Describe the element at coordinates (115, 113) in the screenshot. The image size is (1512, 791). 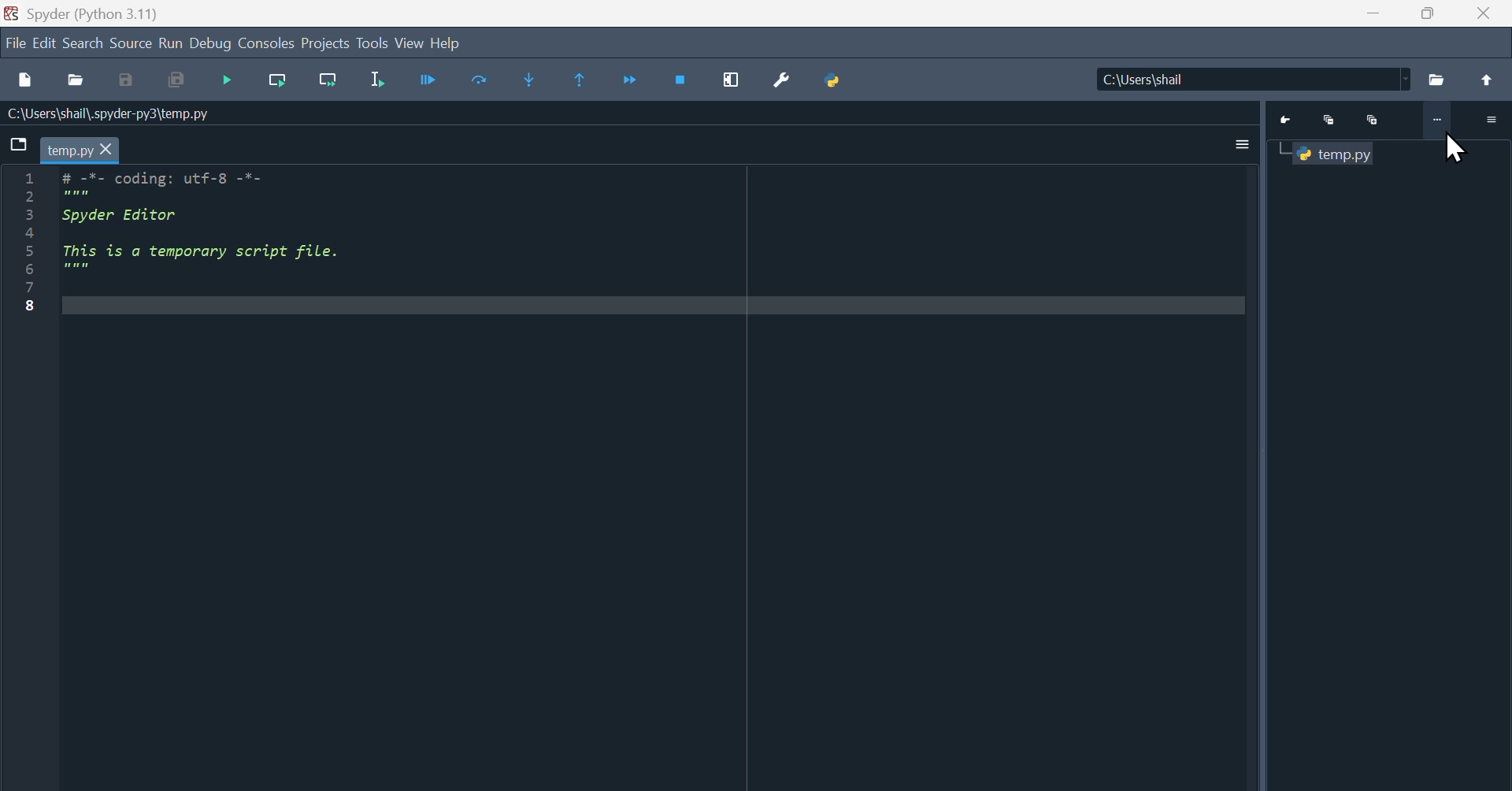
I see `C:\Users\shail\.spyder-py3\temp.py` at that location.